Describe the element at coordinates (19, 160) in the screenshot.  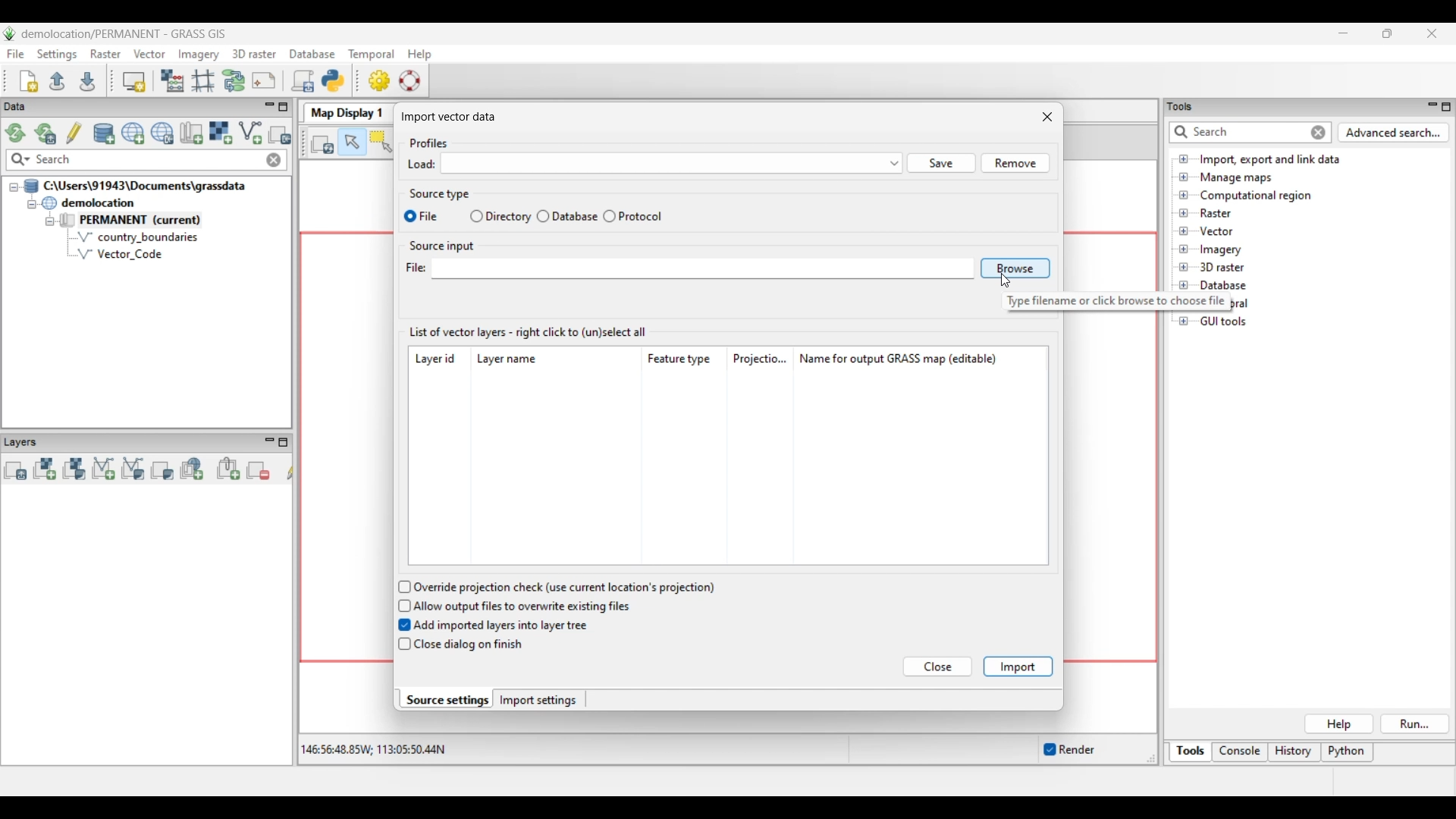
I see `Search specific maps` at that location.